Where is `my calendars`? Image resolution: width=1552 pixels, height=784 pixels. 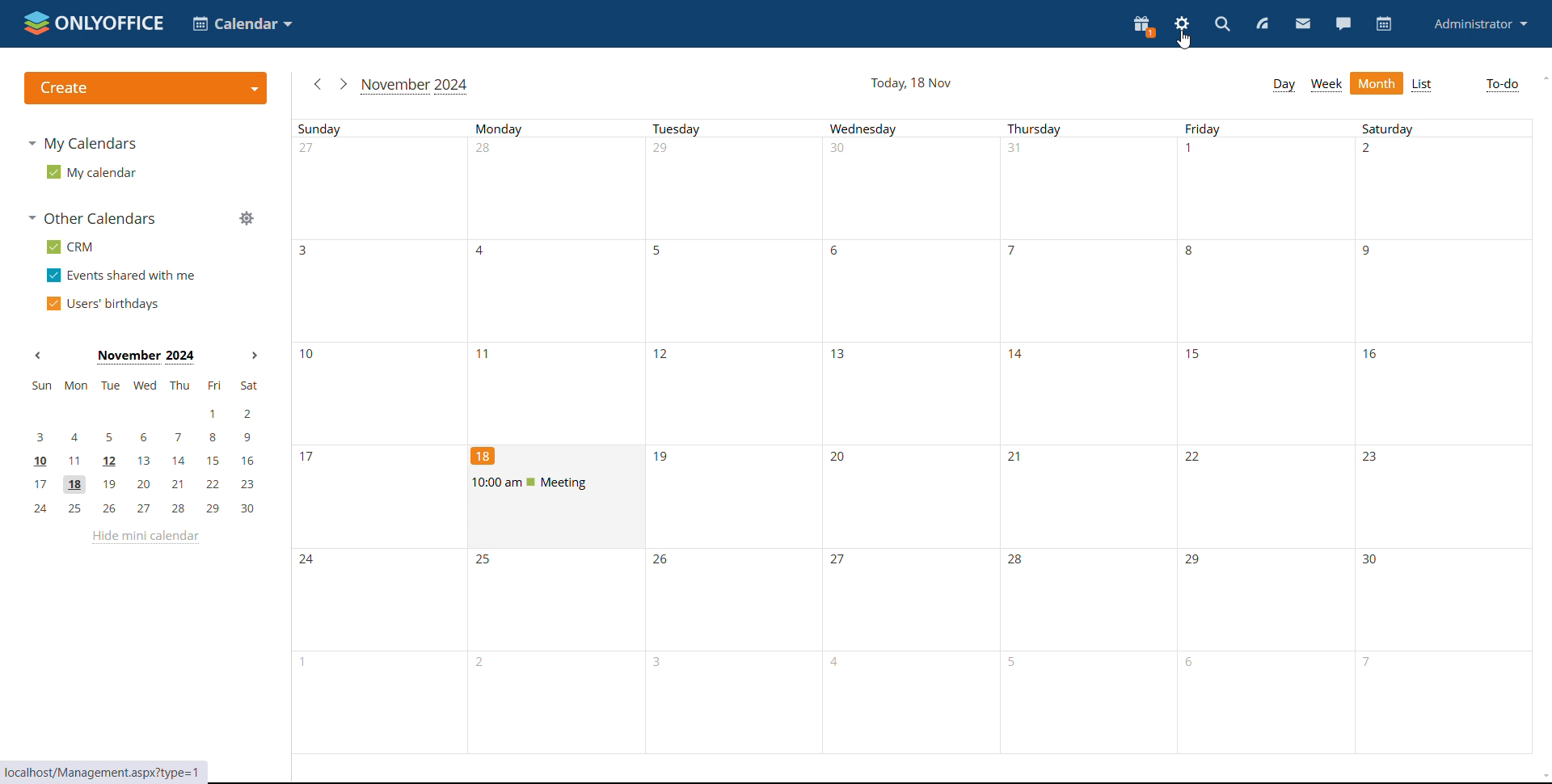 my calendars is located at coordinates (82, 143).